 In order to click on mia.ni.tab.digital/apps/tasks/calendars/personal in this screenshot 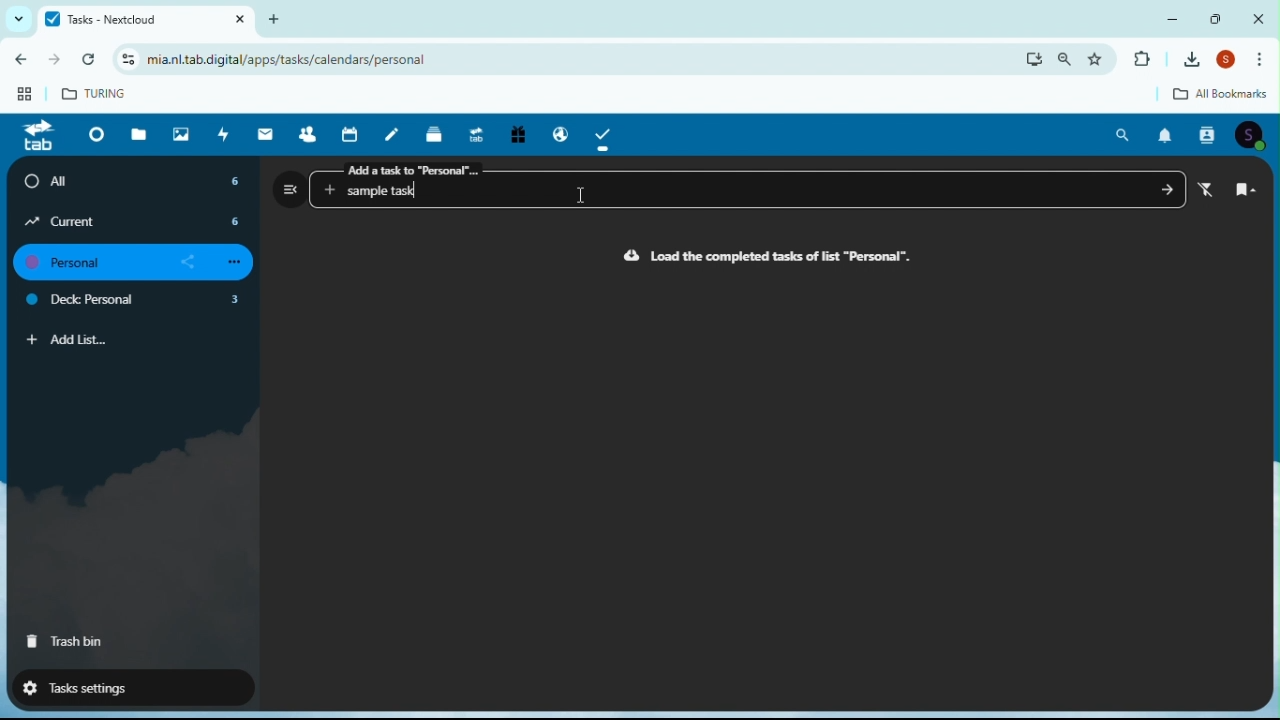, I will do `click(282, 60)`.